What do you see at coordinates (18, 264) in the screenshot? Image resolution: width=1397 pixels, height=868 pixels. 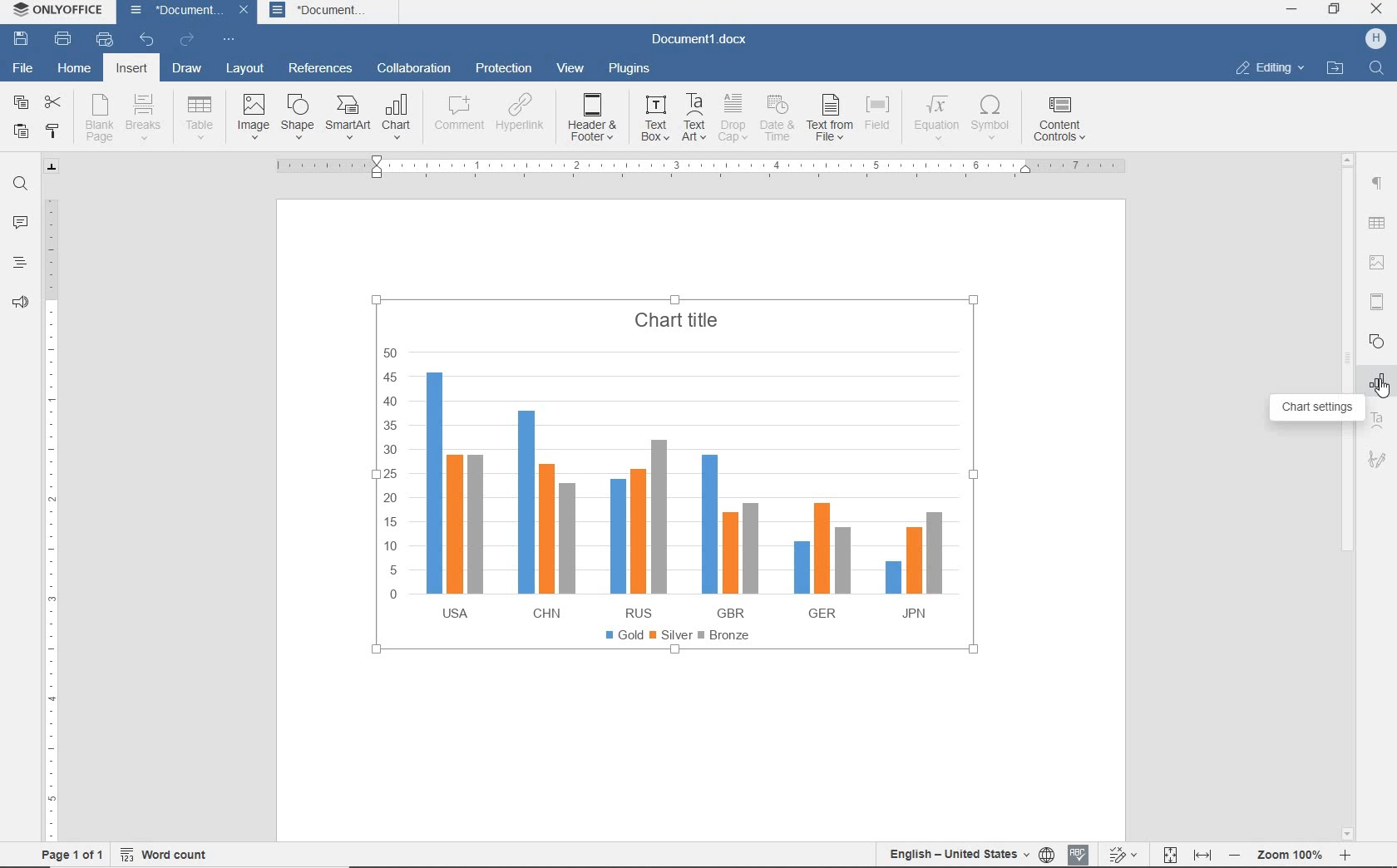 I see `headings` at bounding box center [18, 264].